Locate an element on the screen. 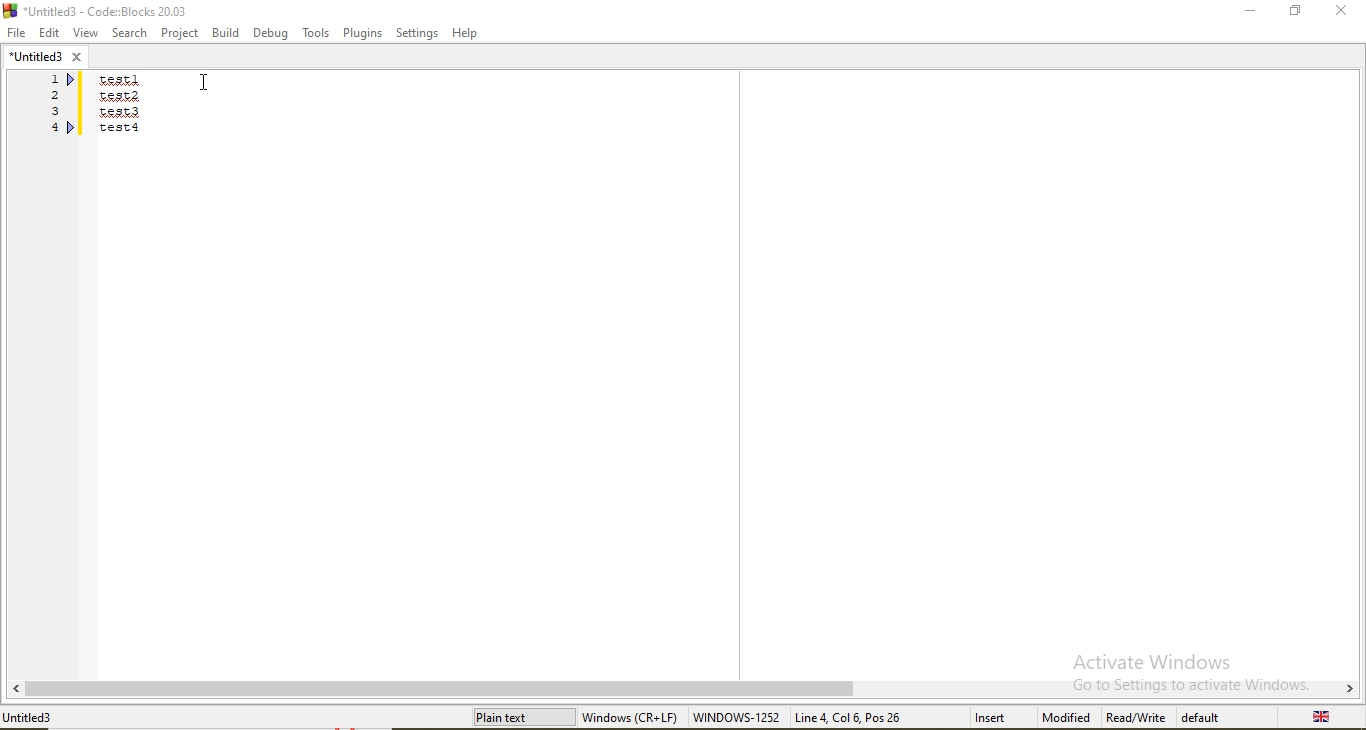  file name is located at coordinates (38, 717).